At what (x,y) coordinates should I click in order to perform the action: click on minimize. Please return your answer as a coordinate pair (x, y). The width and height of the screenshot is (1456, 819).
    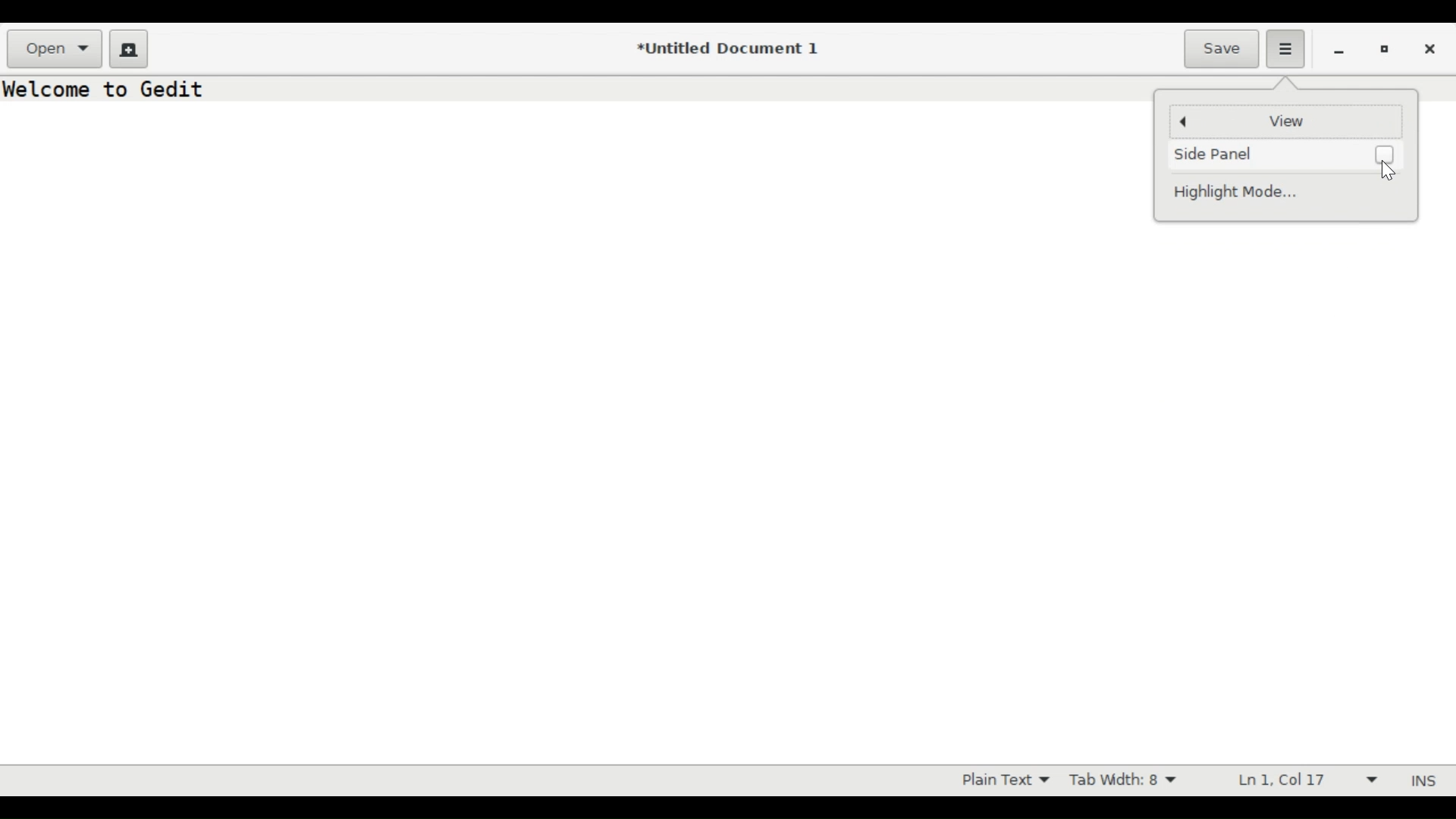
    Looking at the image, I should click on (1339, 49).